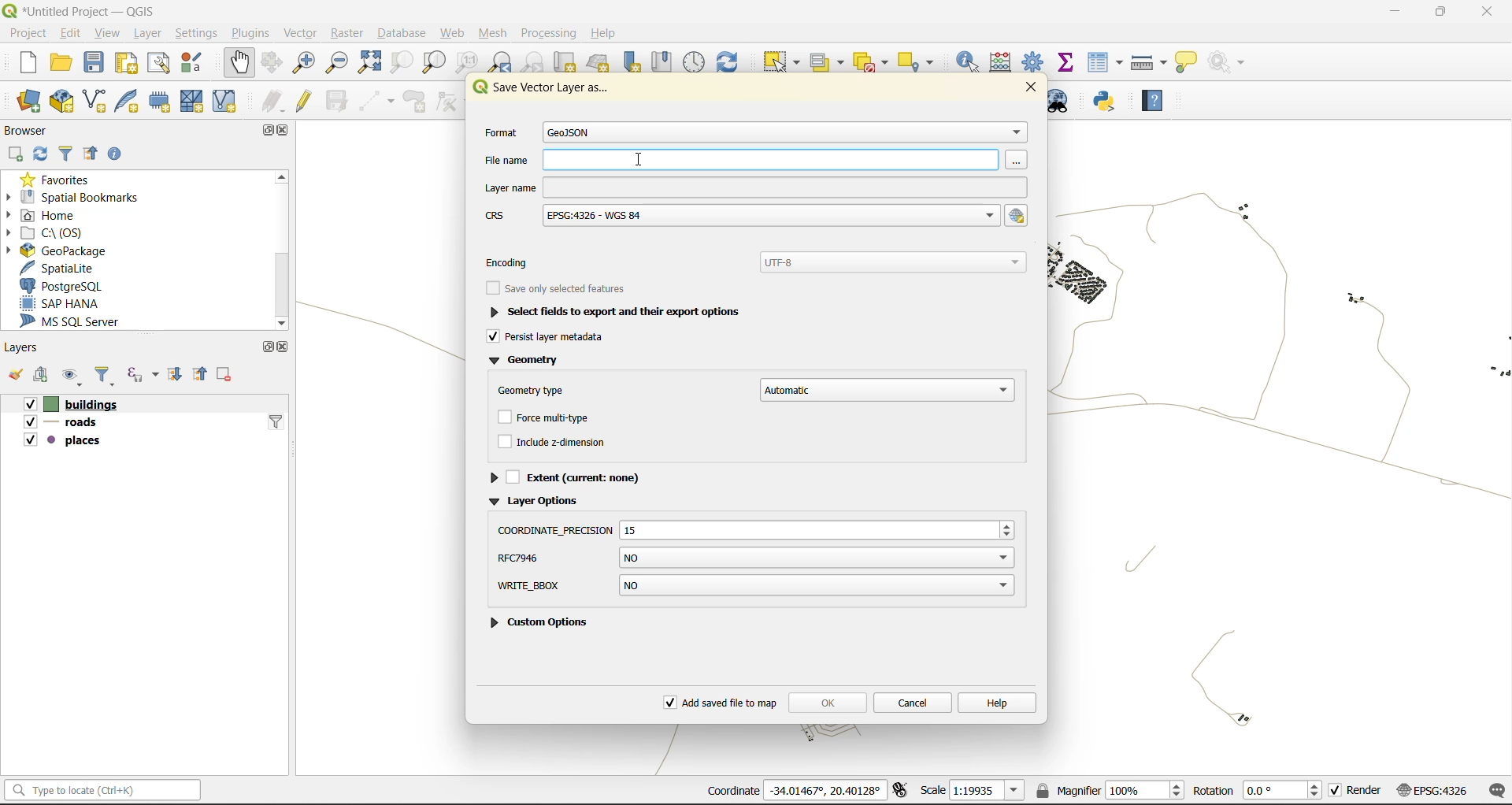 This screenshot has width=1512, height=805. Describe the element at coordinates (629, 63) in the screenshot. I see `new spatial bookmarks` at that location.